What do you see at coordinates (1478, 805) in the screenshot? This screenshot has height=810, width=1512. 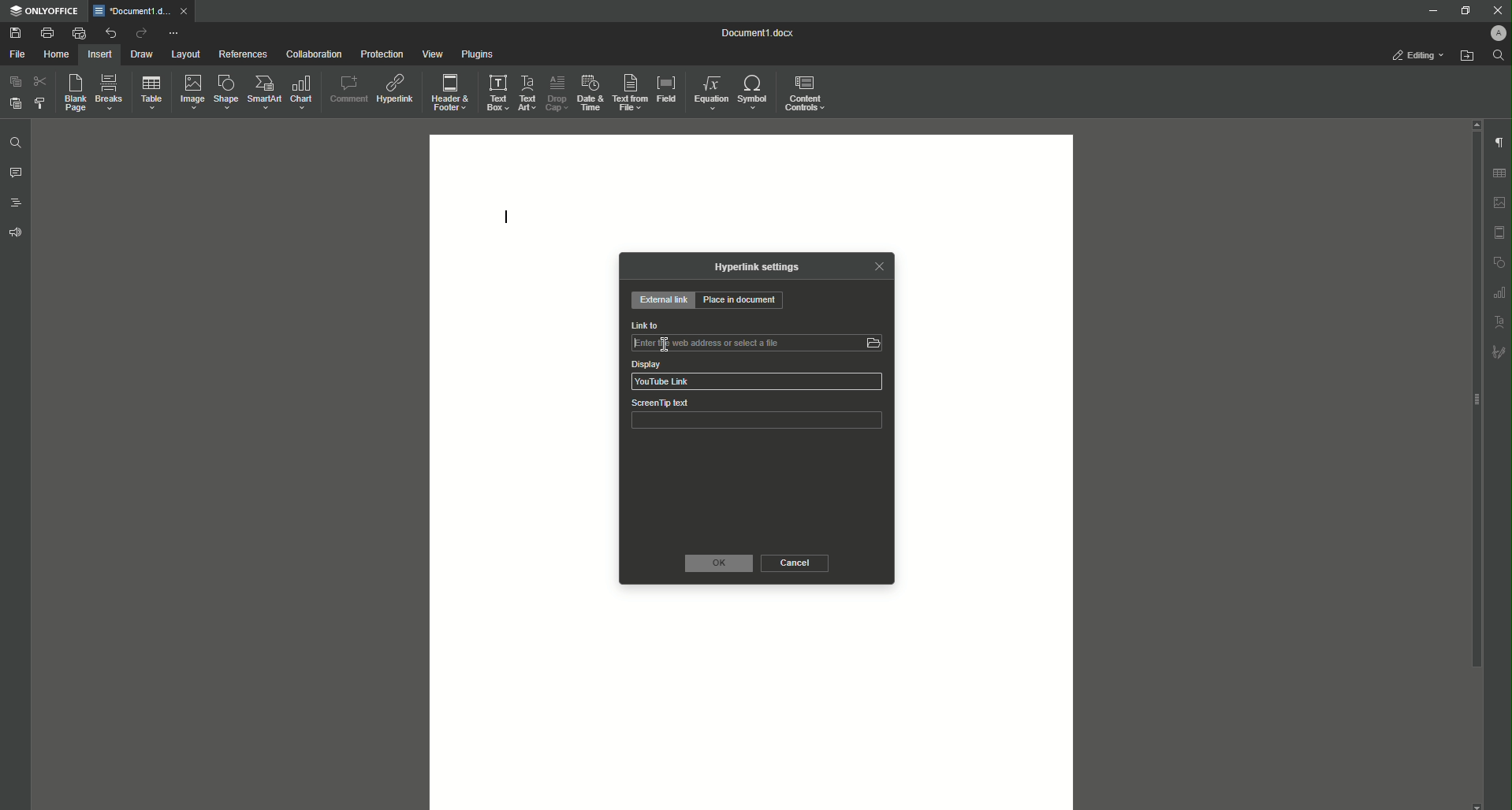 I see `scroll down` at bounding box center [1478, 805].